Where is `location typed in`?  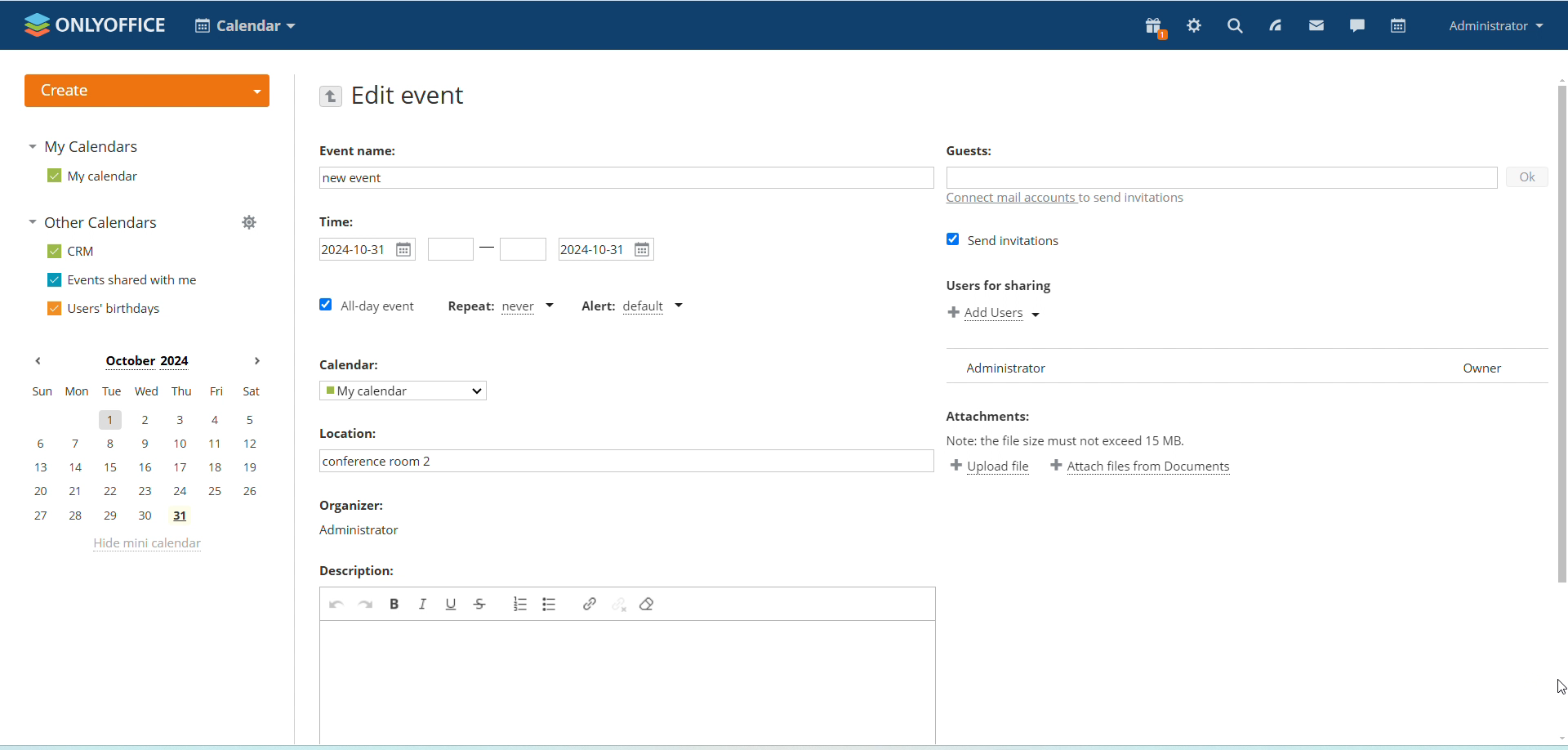
location typed in is located at coordinates (380, 460).